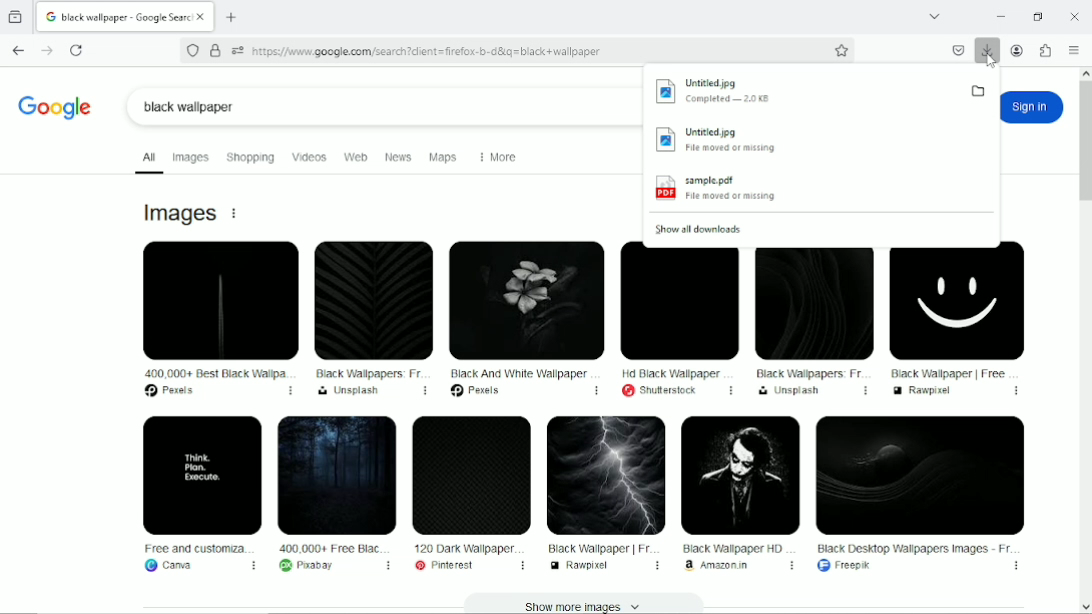 Image resolution: width=1092 pixels, height=614 pixels. Describe the element at coordinates (988, 54) in the screenshot. I see `Downloads` at that location.